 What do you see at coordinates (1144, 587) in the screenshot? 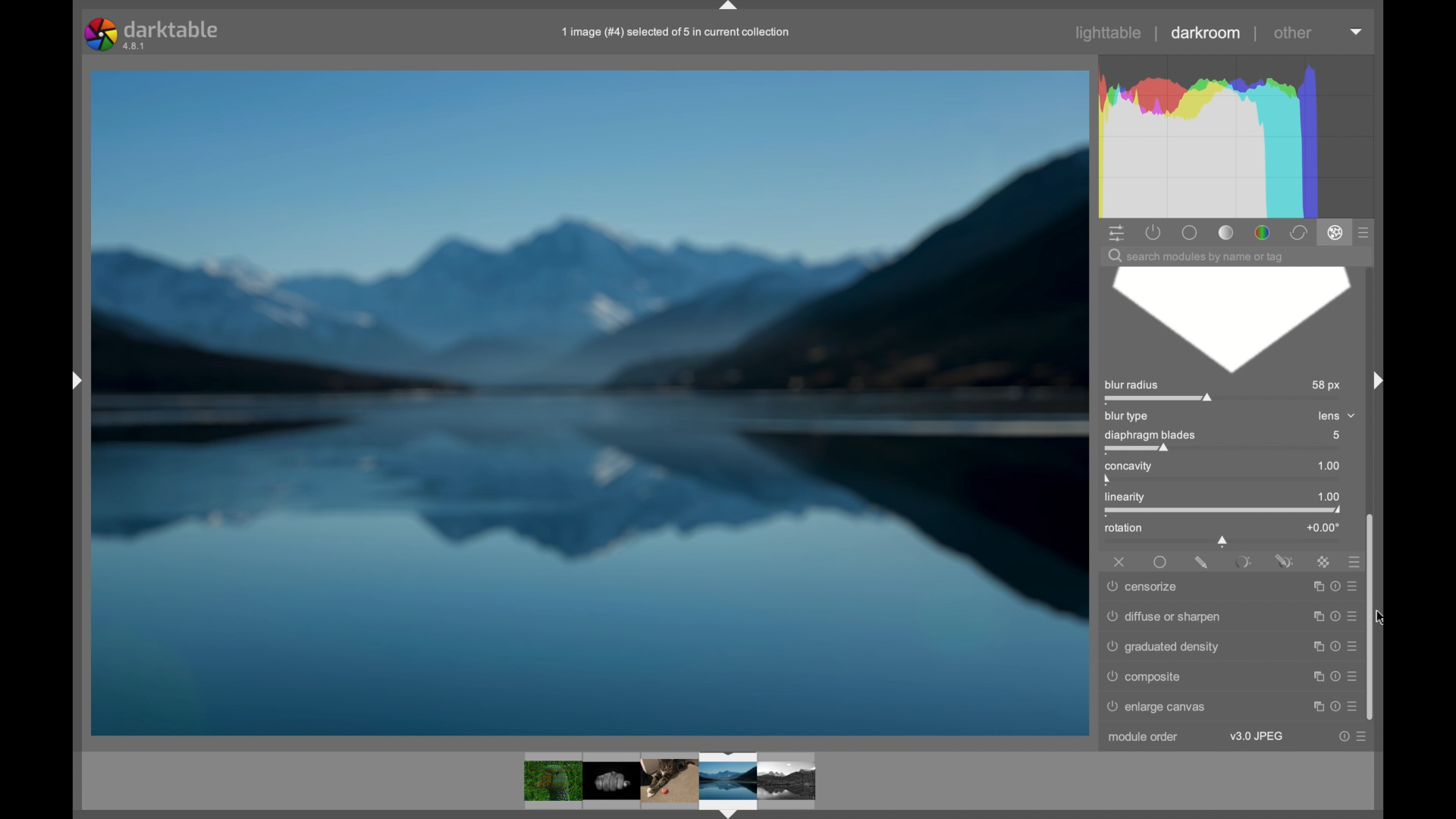
I see `censorize` at bounding box center [1144, 587].